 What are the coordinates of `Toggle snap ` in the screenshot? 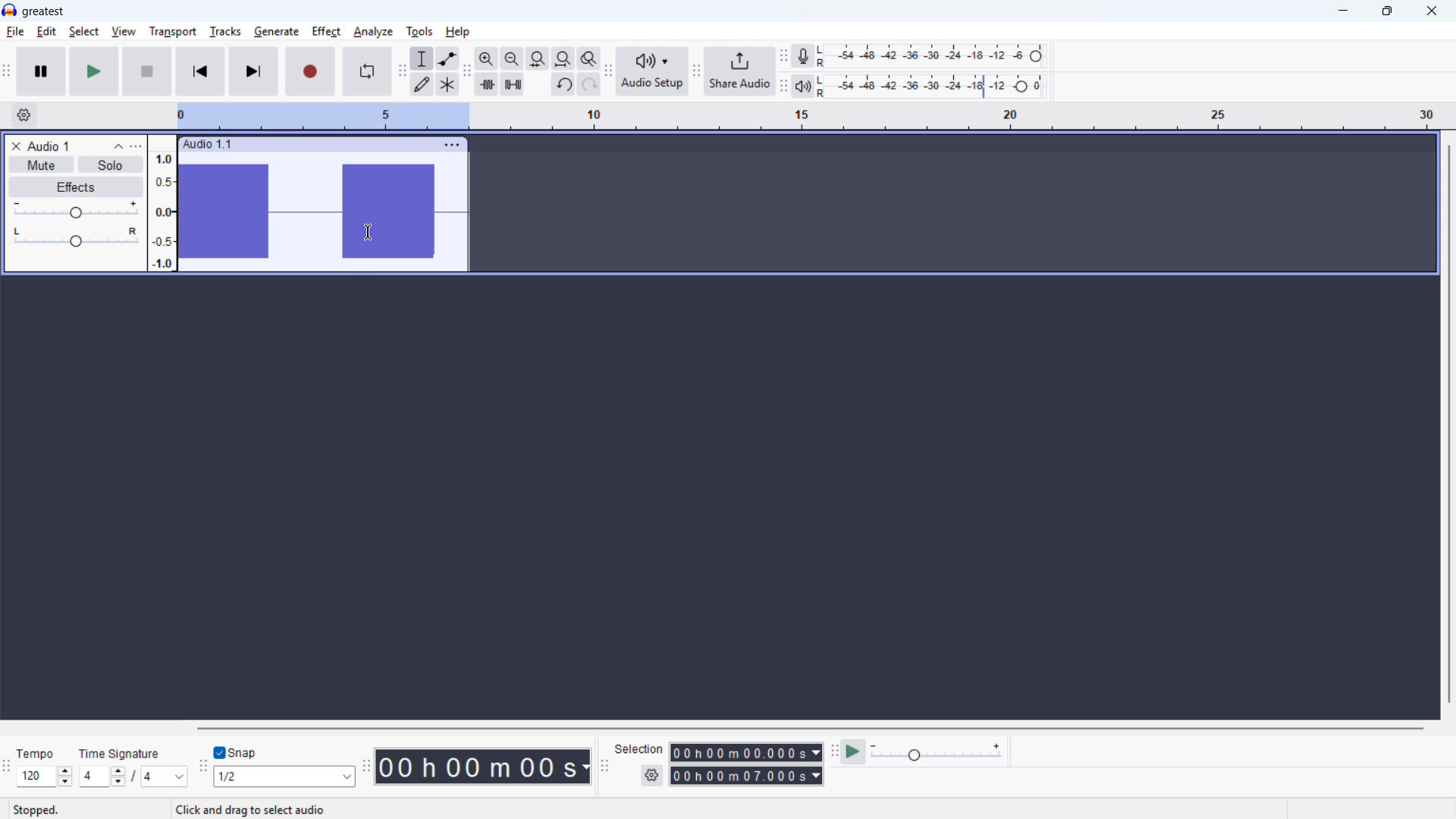 It's located at (238, 752).